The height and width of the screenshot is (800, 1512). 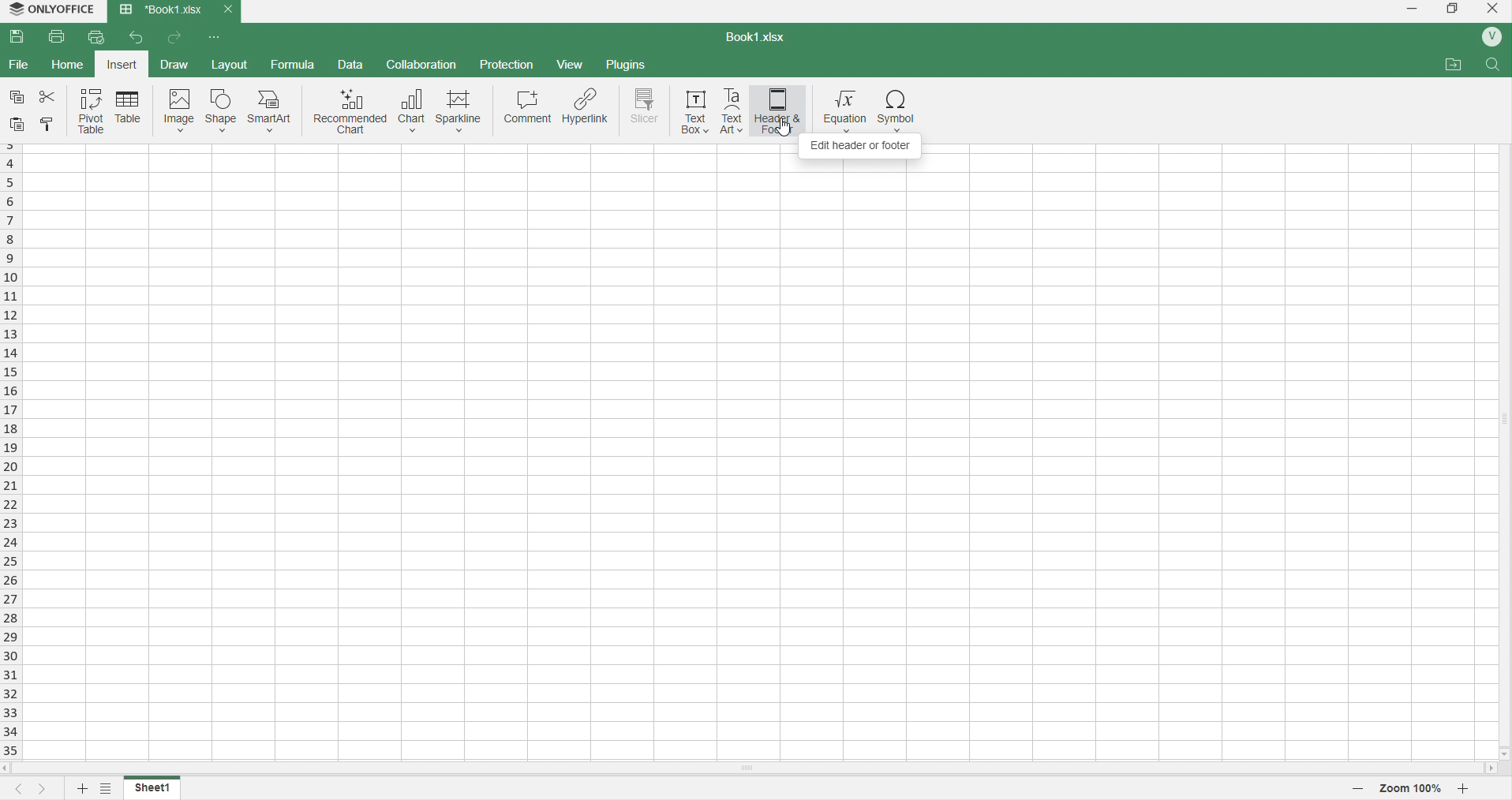 I want to click on options, so click(x=216, y=37).